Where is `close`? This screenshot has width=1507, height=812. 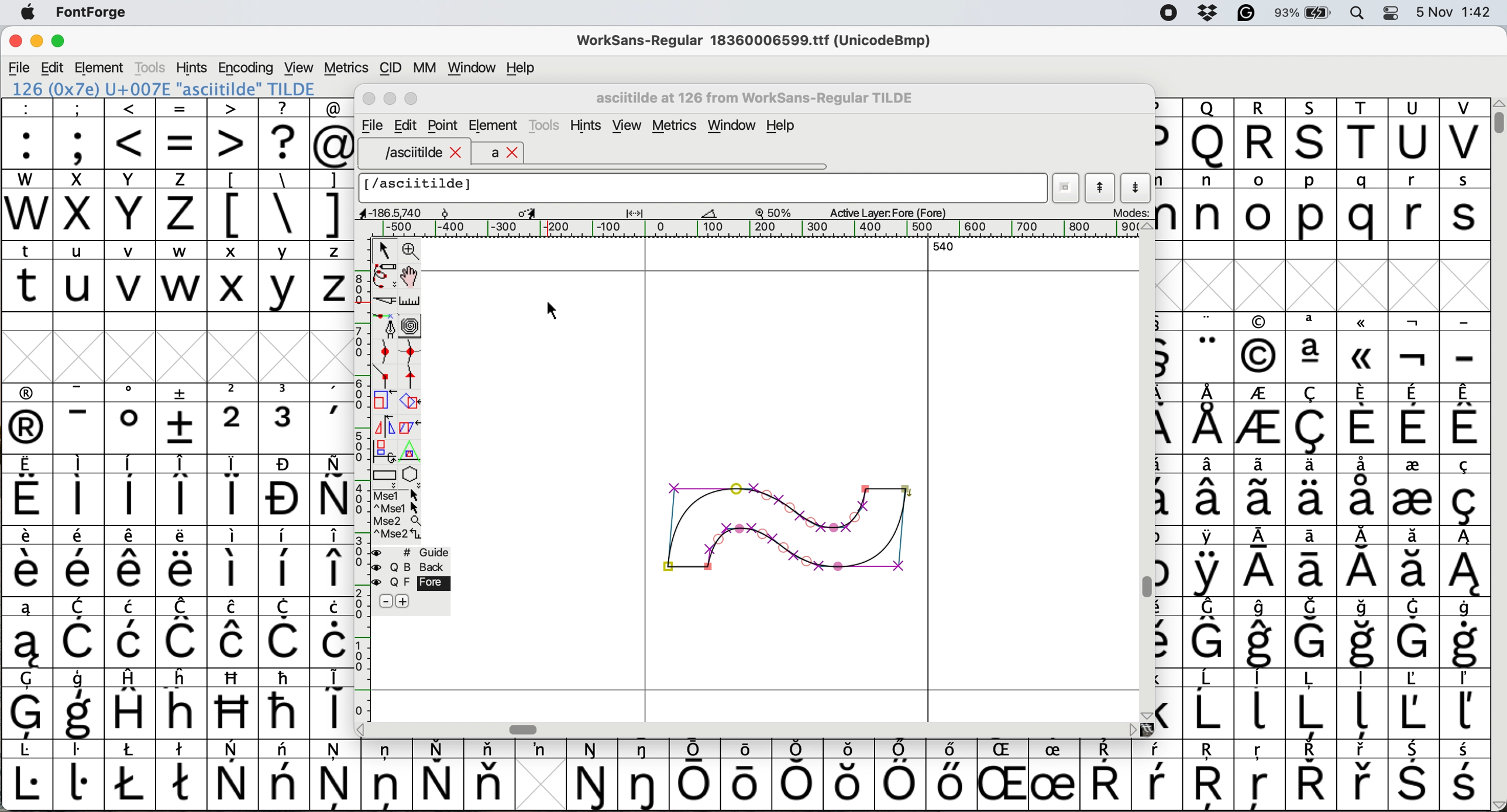 close is located at coordinates (15, 43).